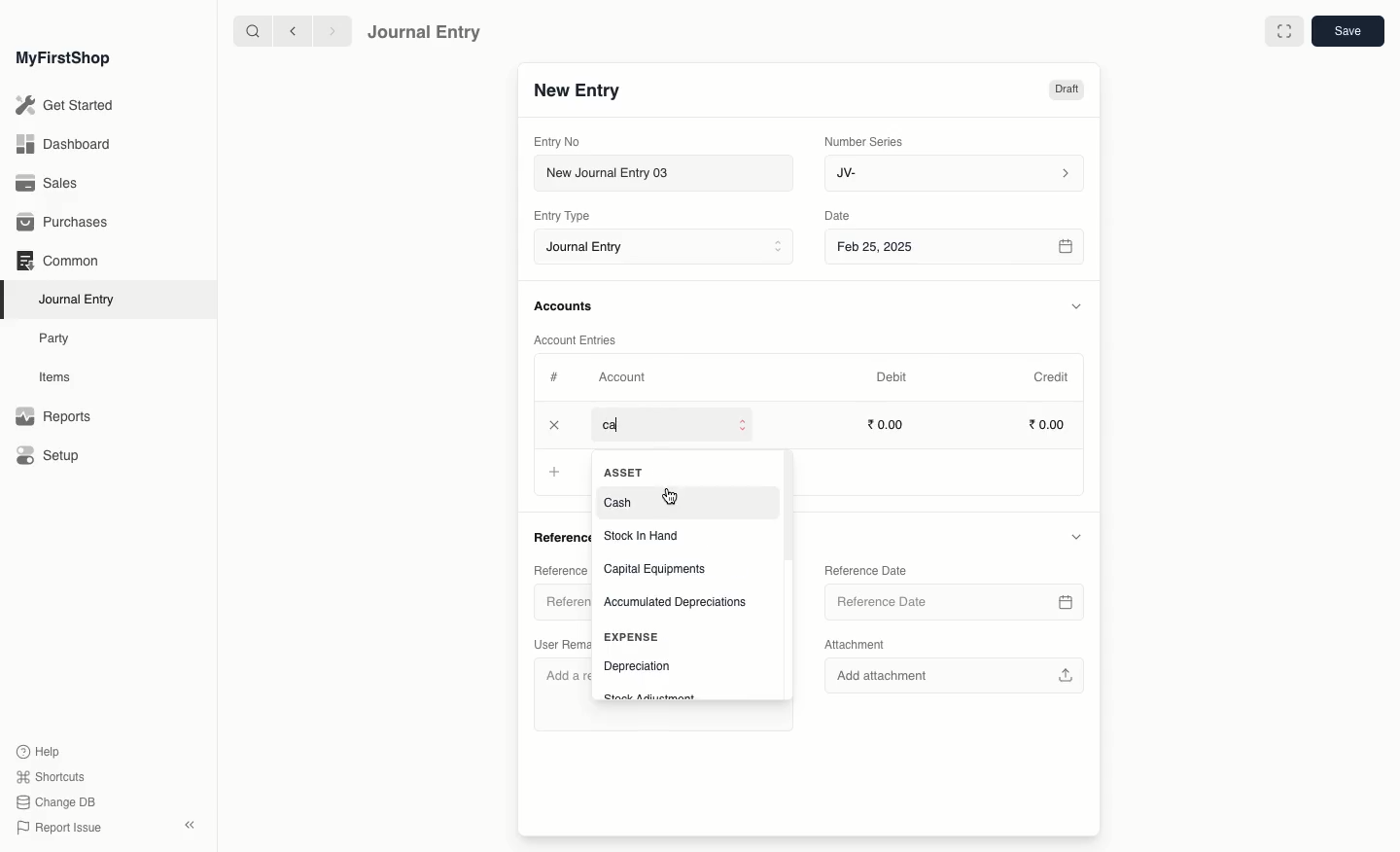 The height and width of the screenshot is (852, 1400). I want to click on Depreciation, so click(637, 666).